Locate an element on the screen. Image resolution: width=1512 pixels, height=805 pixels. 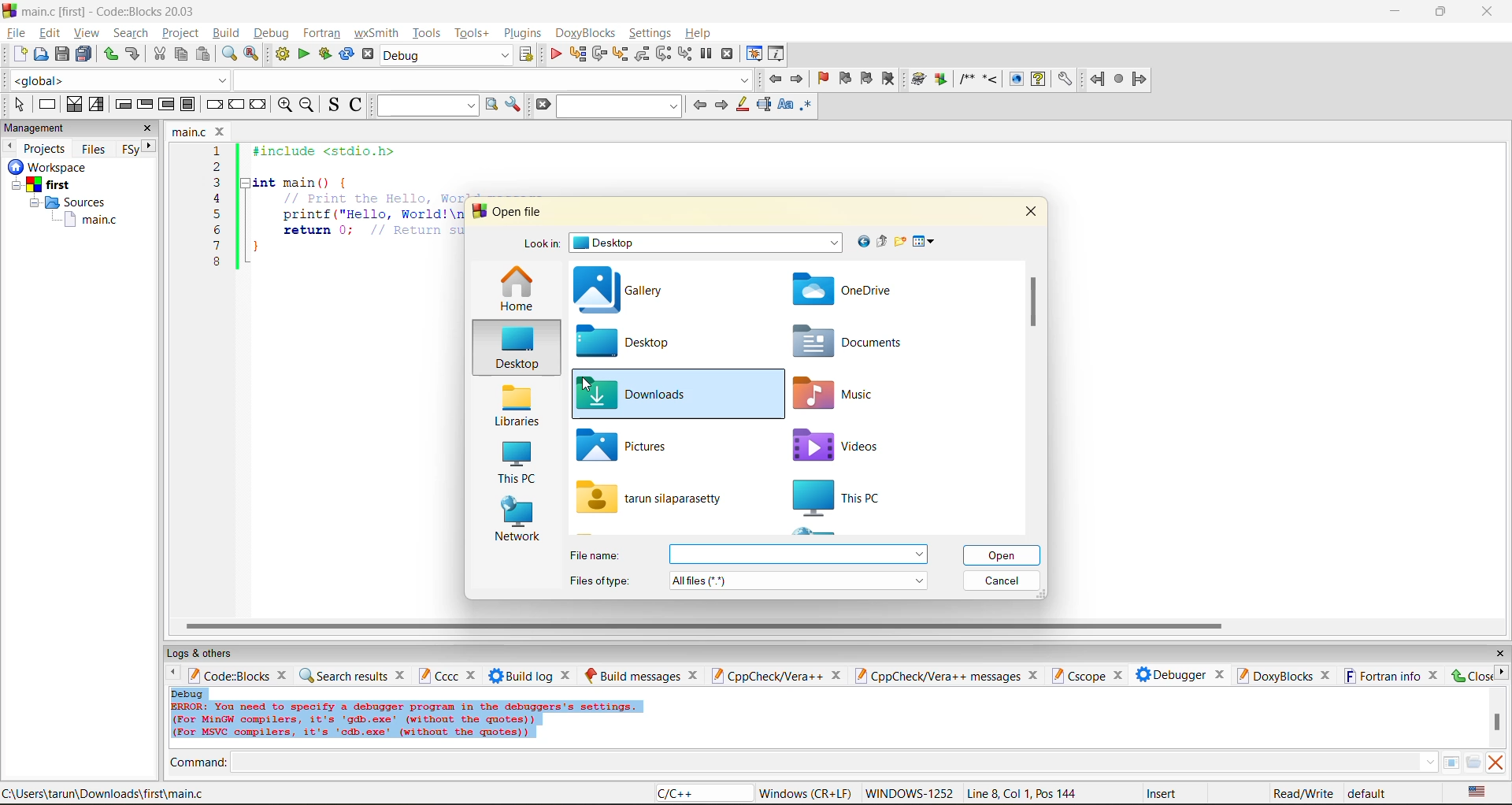
previous is located at coordinates (169, 674).